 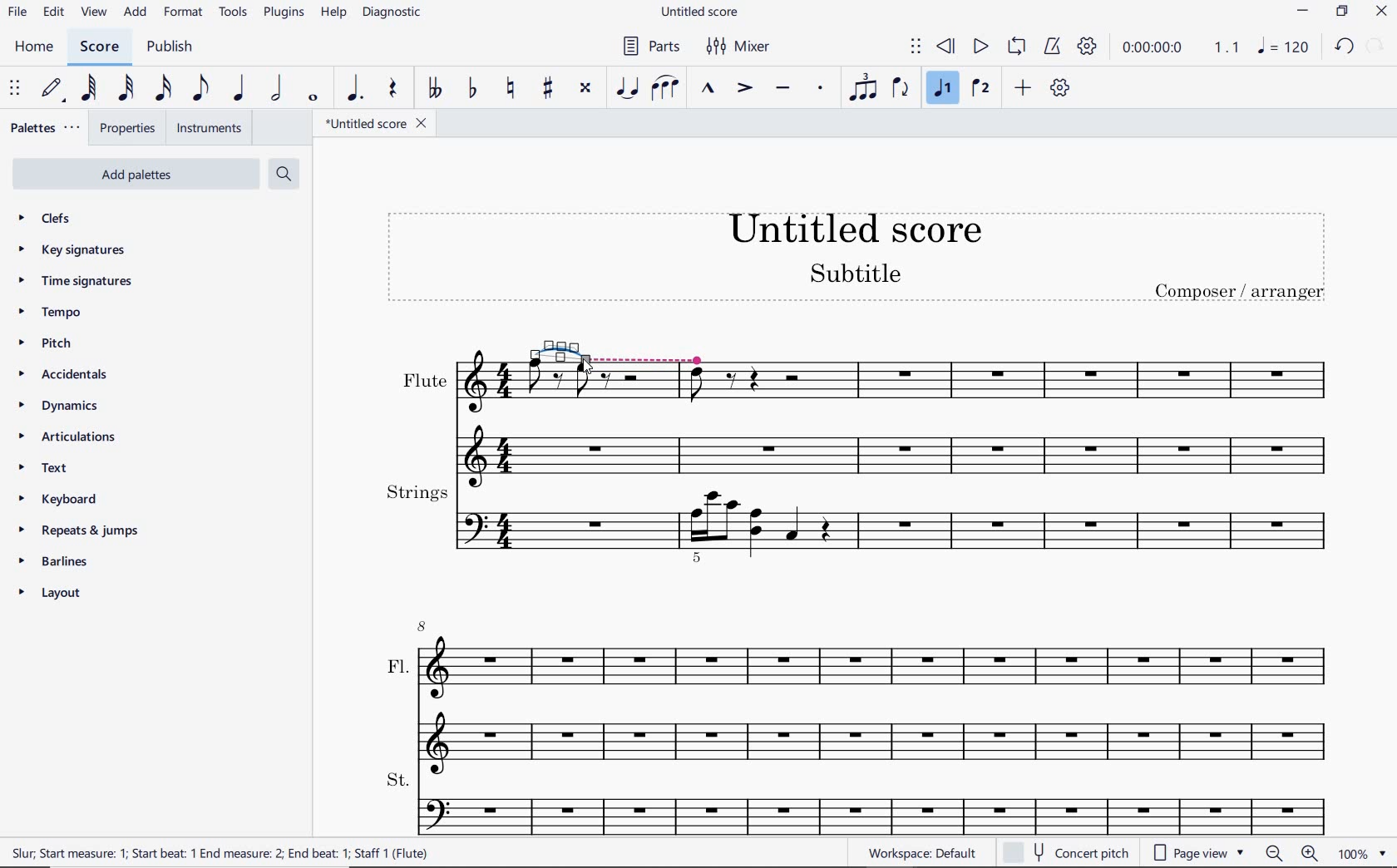 I want to click on St., so click(x=860, y=803).